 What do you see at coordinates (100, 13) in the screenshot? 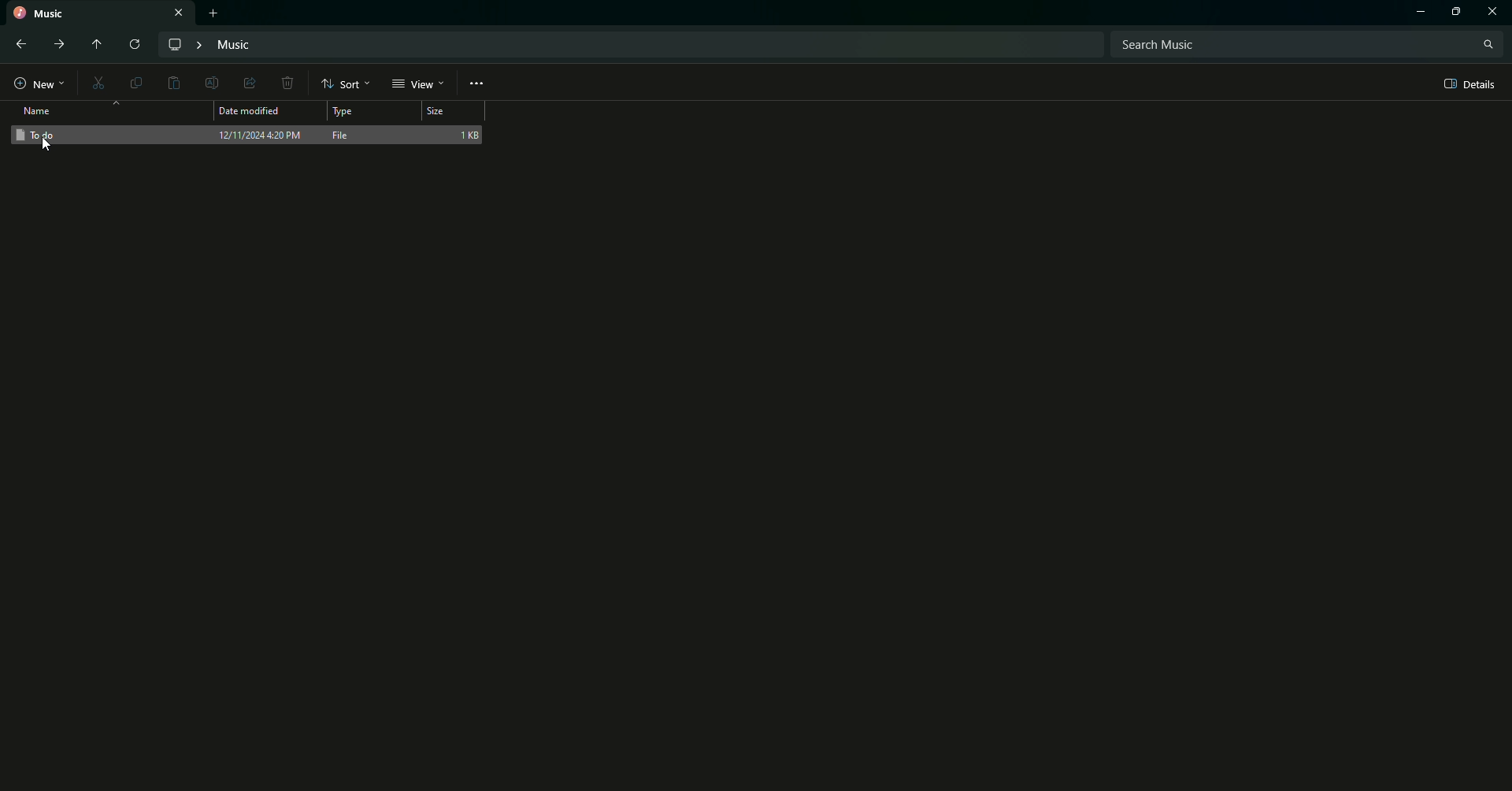
I see `Music tab` at bounding box center [100, 13].